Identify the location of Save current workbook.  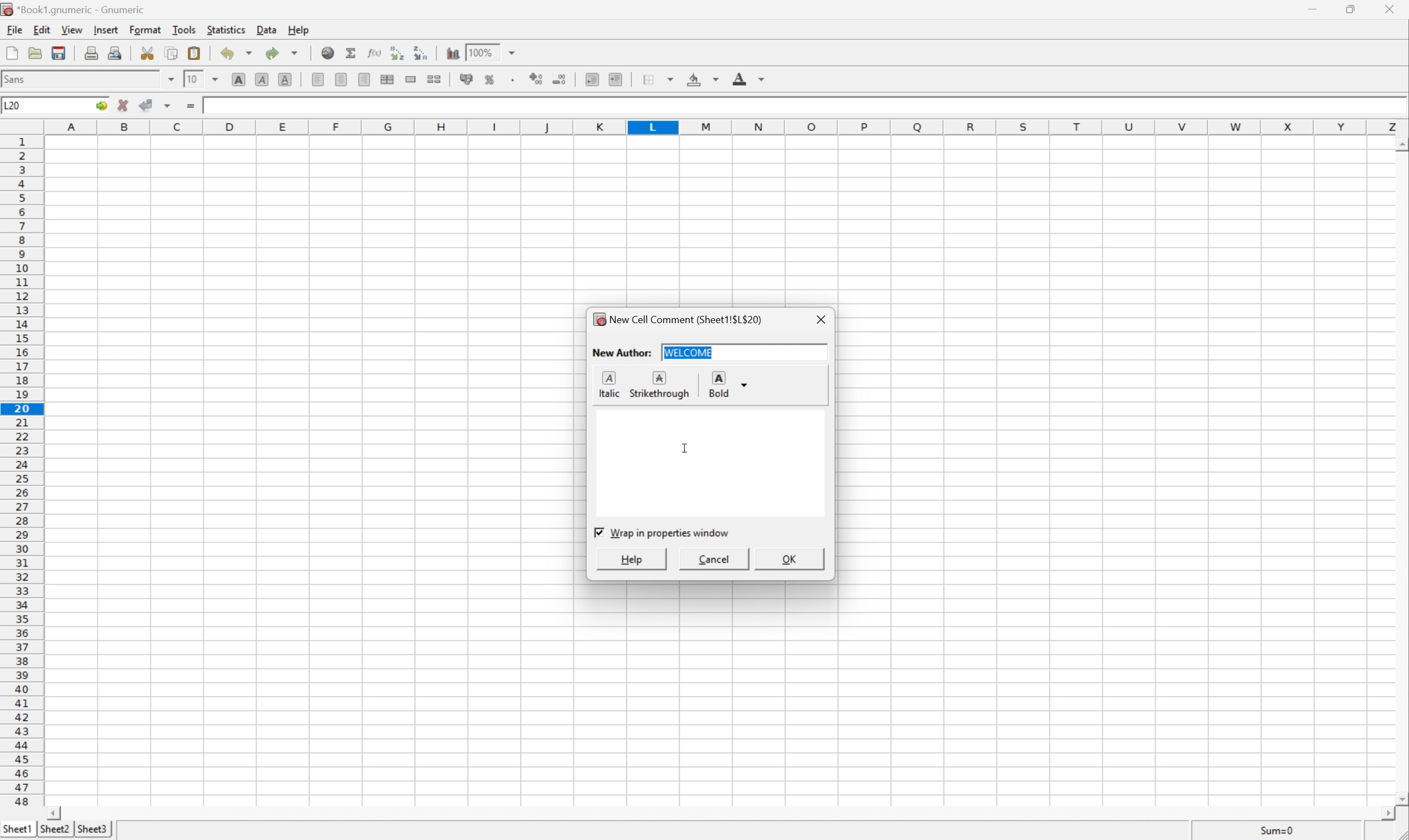
(60, 53).